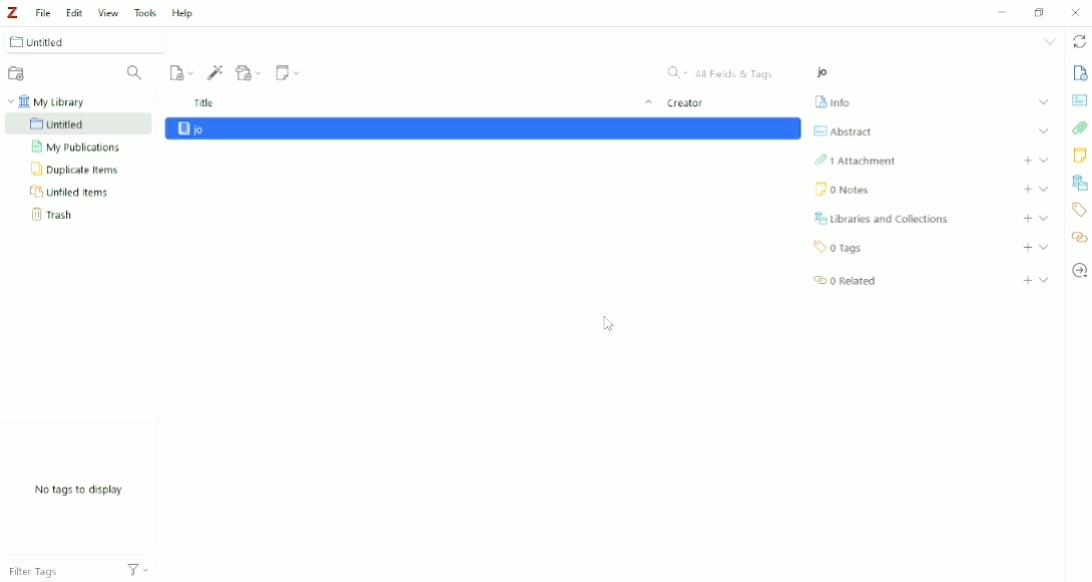 This screenshot has width=1092, height=582. I want to click on Libraries and Collections, so click(884, 218).